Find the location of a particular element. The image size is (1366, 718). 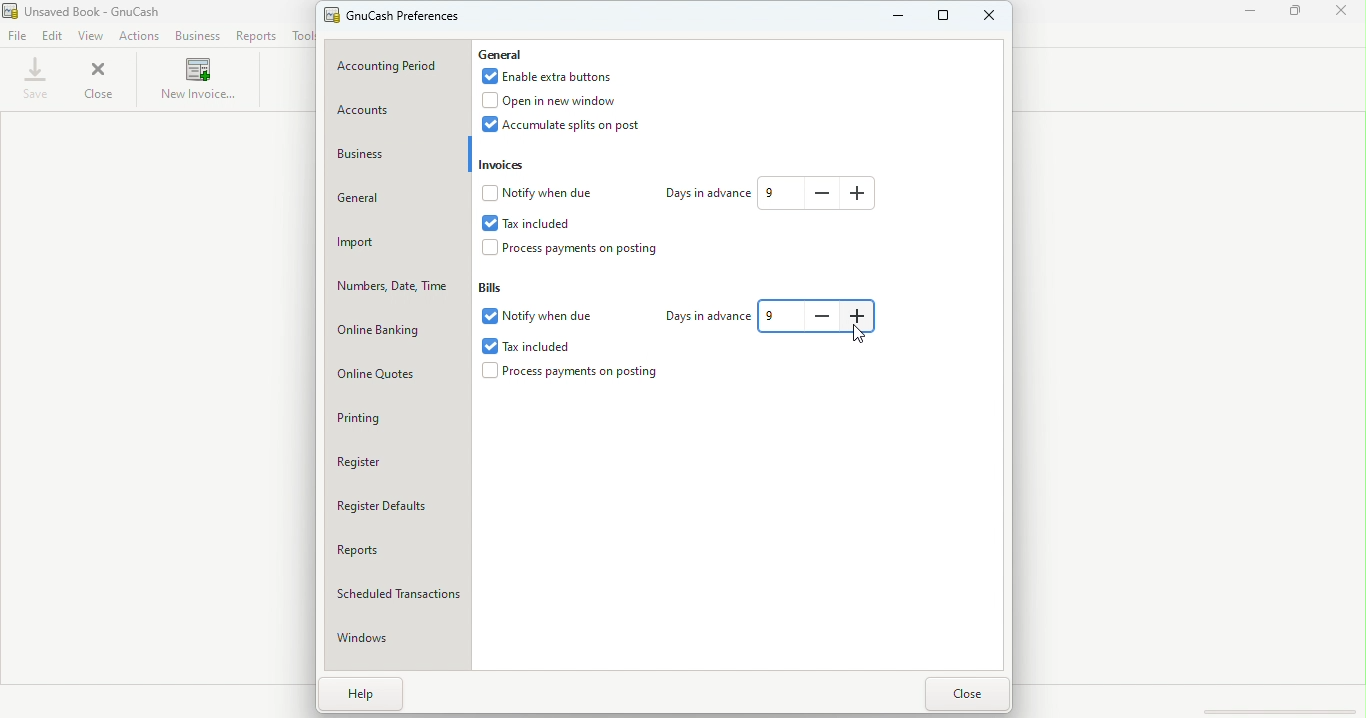

Increase is located at coordinates (859, 193).